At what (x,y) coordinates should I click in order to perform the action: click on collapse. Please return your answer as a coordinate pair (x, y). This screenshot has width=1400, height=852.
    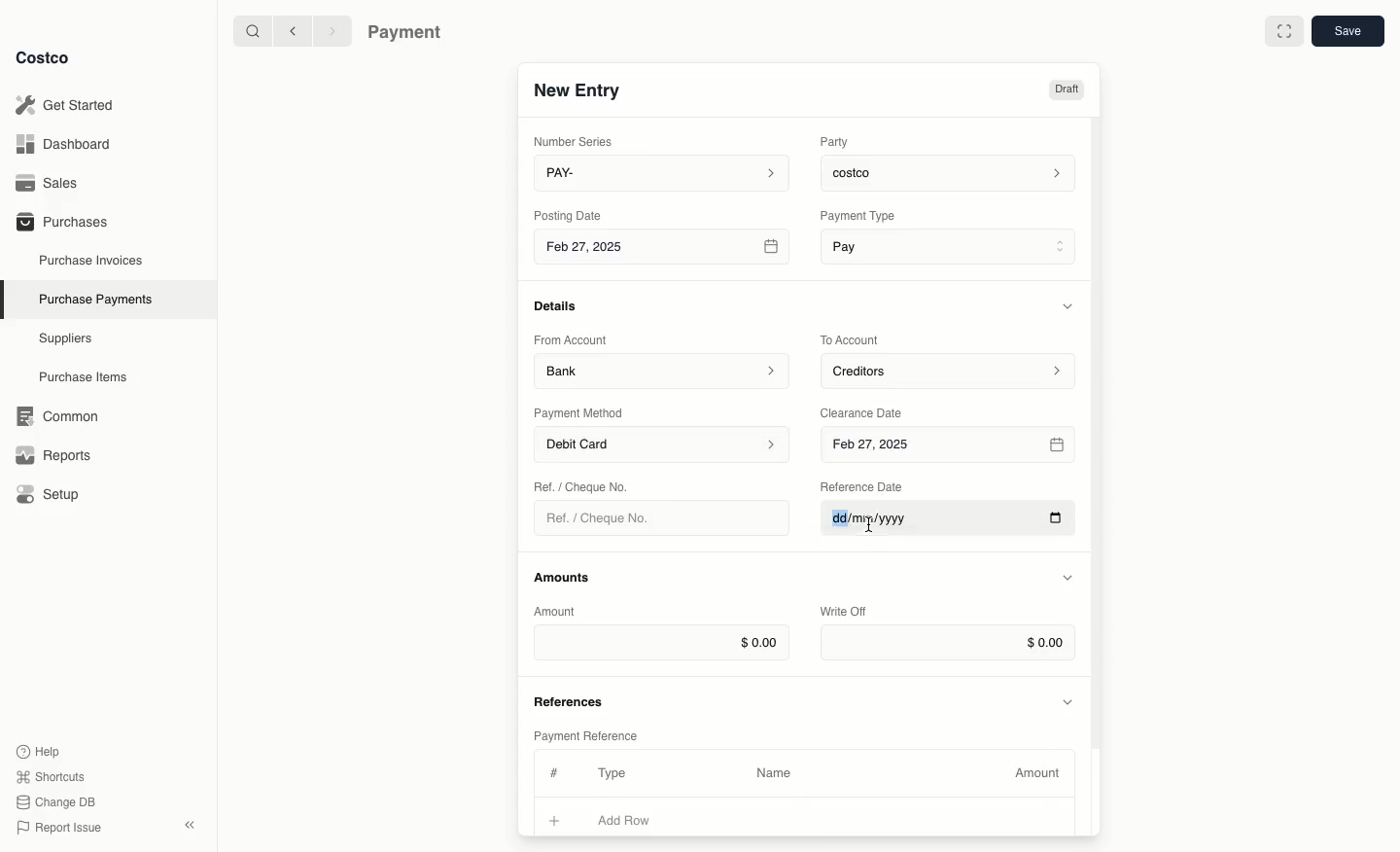
    Looking at the image, I should click on (189, 825).